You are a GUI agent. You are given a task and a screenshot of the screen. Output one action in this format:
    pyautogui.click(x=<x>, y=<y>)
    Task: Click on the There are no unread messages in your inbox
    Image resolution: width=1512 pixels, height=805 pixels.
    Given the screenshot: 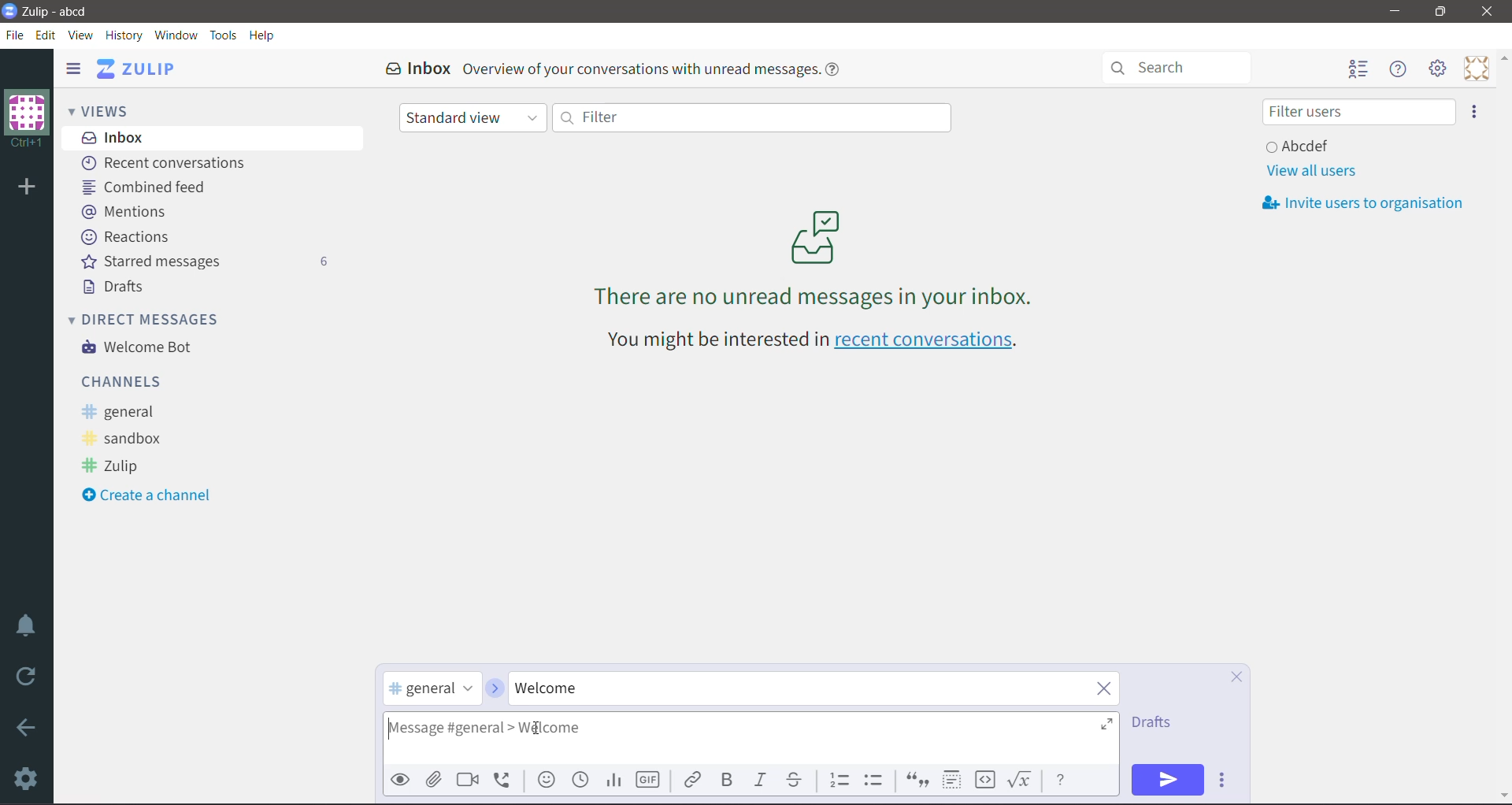 What is the action you would take?
    pyautogui.click(x=815, y=258)
    